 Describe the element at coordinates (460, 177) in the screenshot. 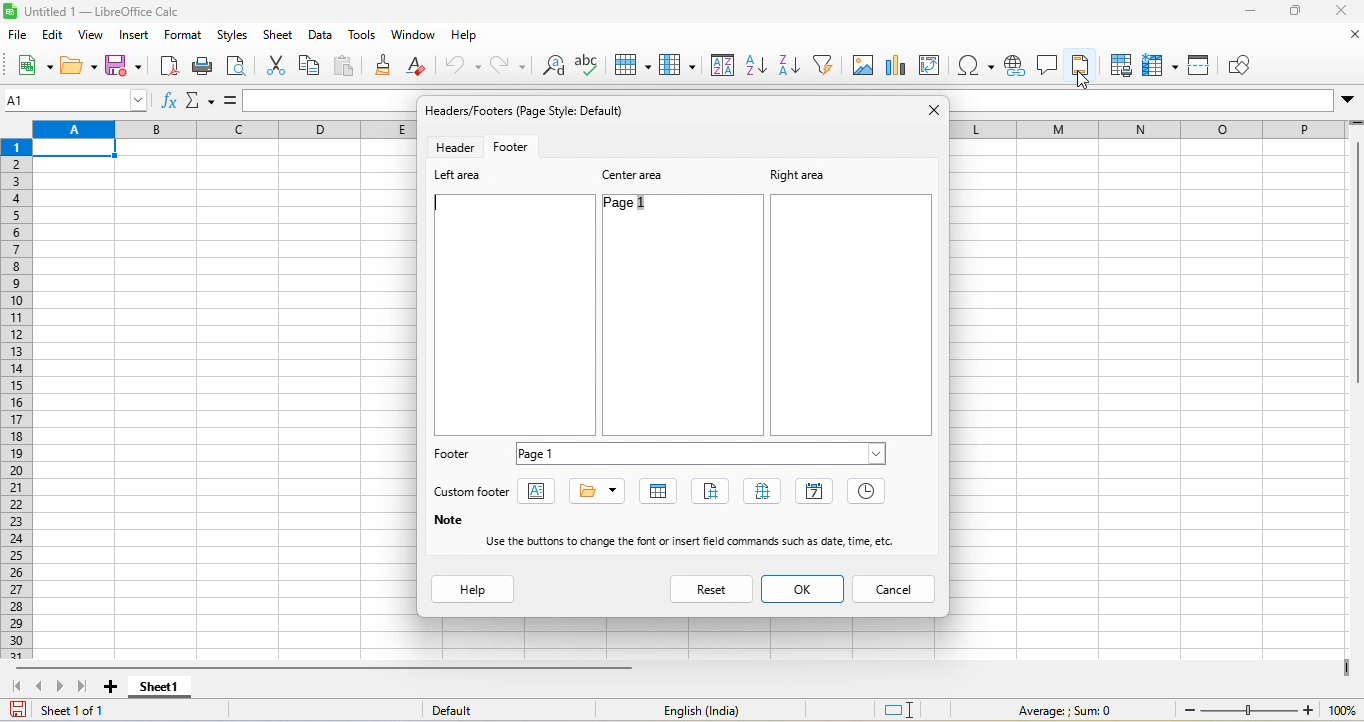

I see `left area` at that location.